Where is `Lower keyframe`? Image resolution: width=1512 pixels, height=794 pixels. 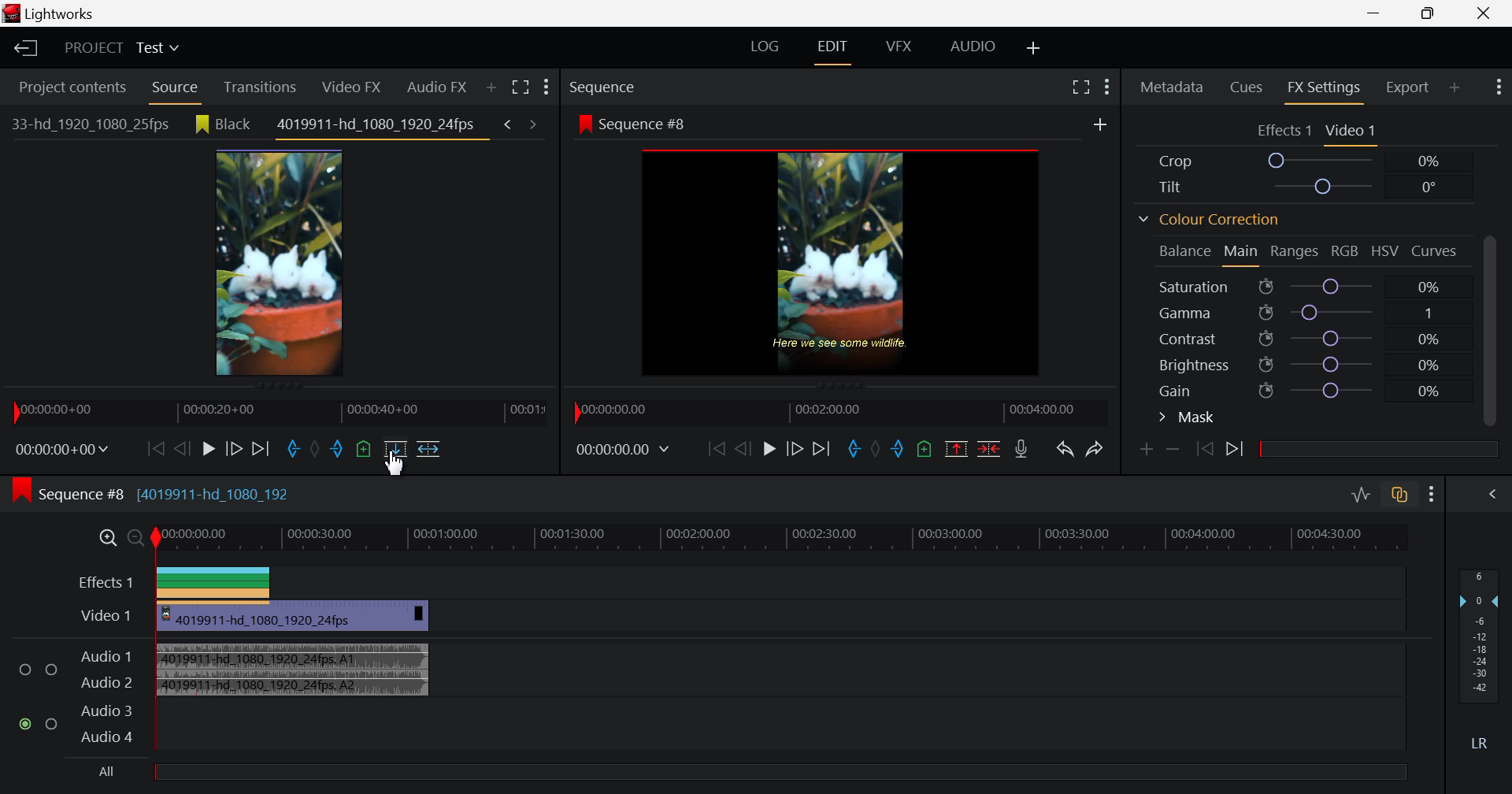
Lower keyframe is located at coordinates (1177, 449).